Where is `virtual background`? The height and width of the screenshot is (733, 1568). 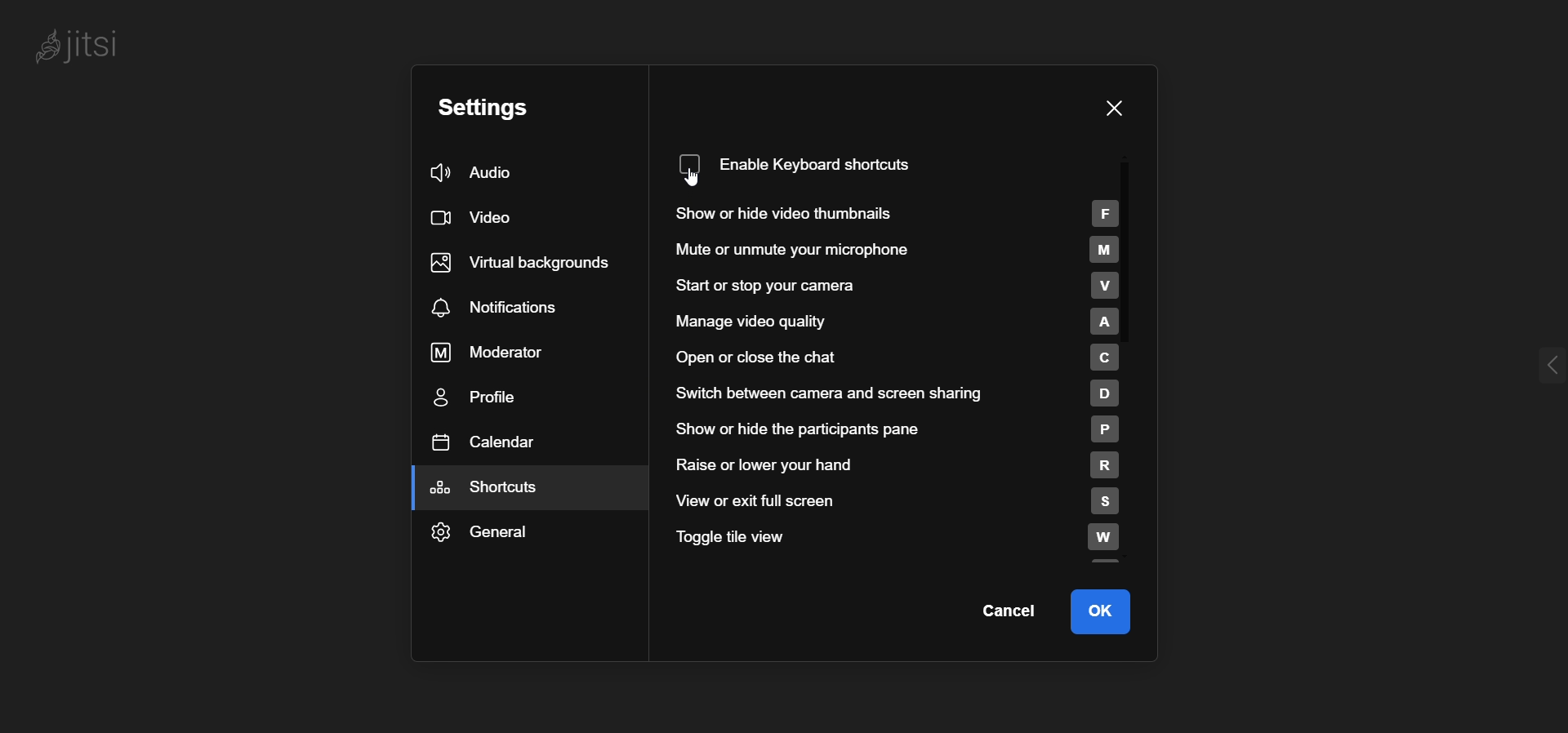
virtual background is located at coordinates (525, 260).